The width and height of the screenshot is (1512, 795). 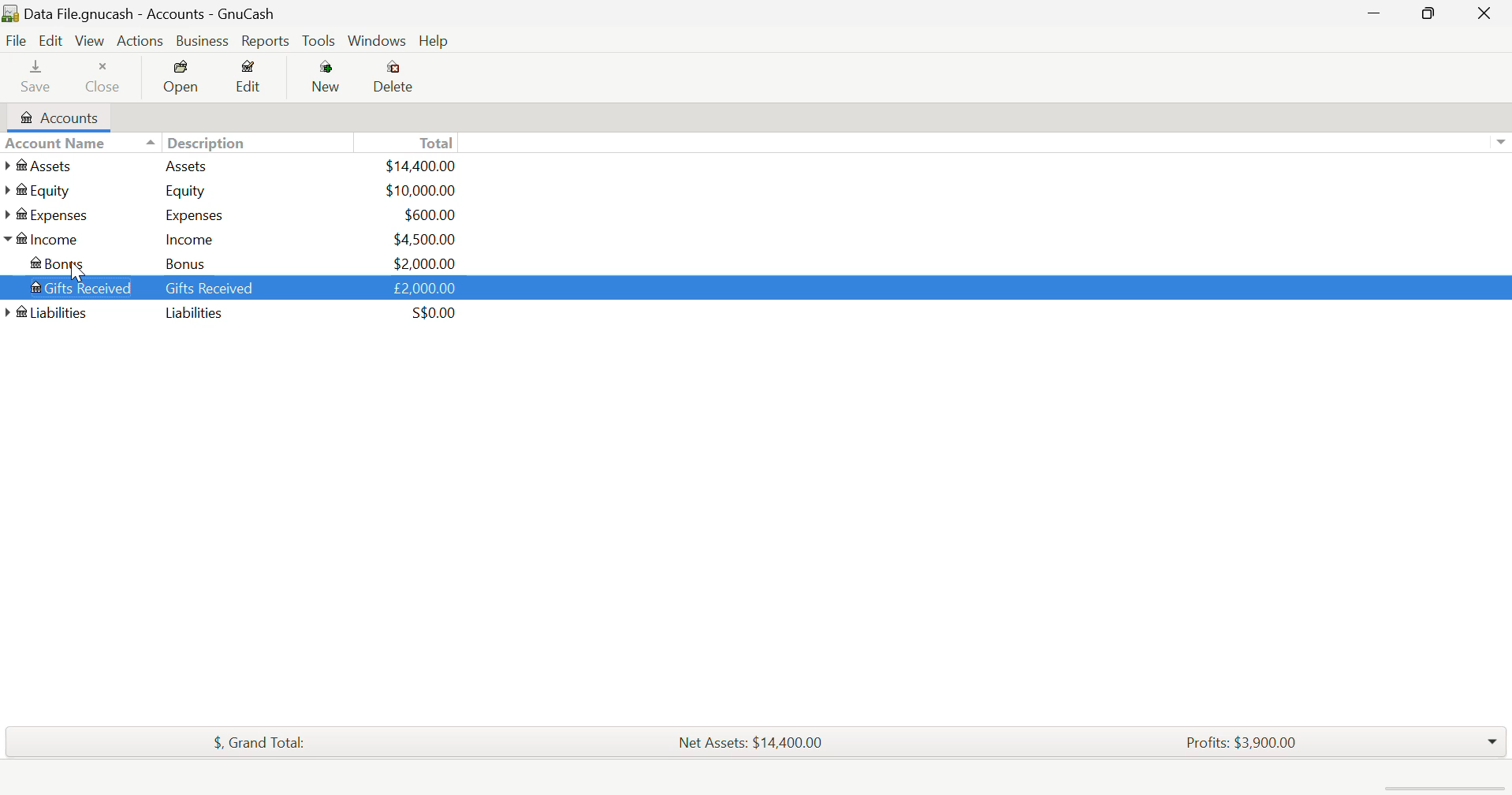 I want to click on Equity, so click(x=188, y=191).